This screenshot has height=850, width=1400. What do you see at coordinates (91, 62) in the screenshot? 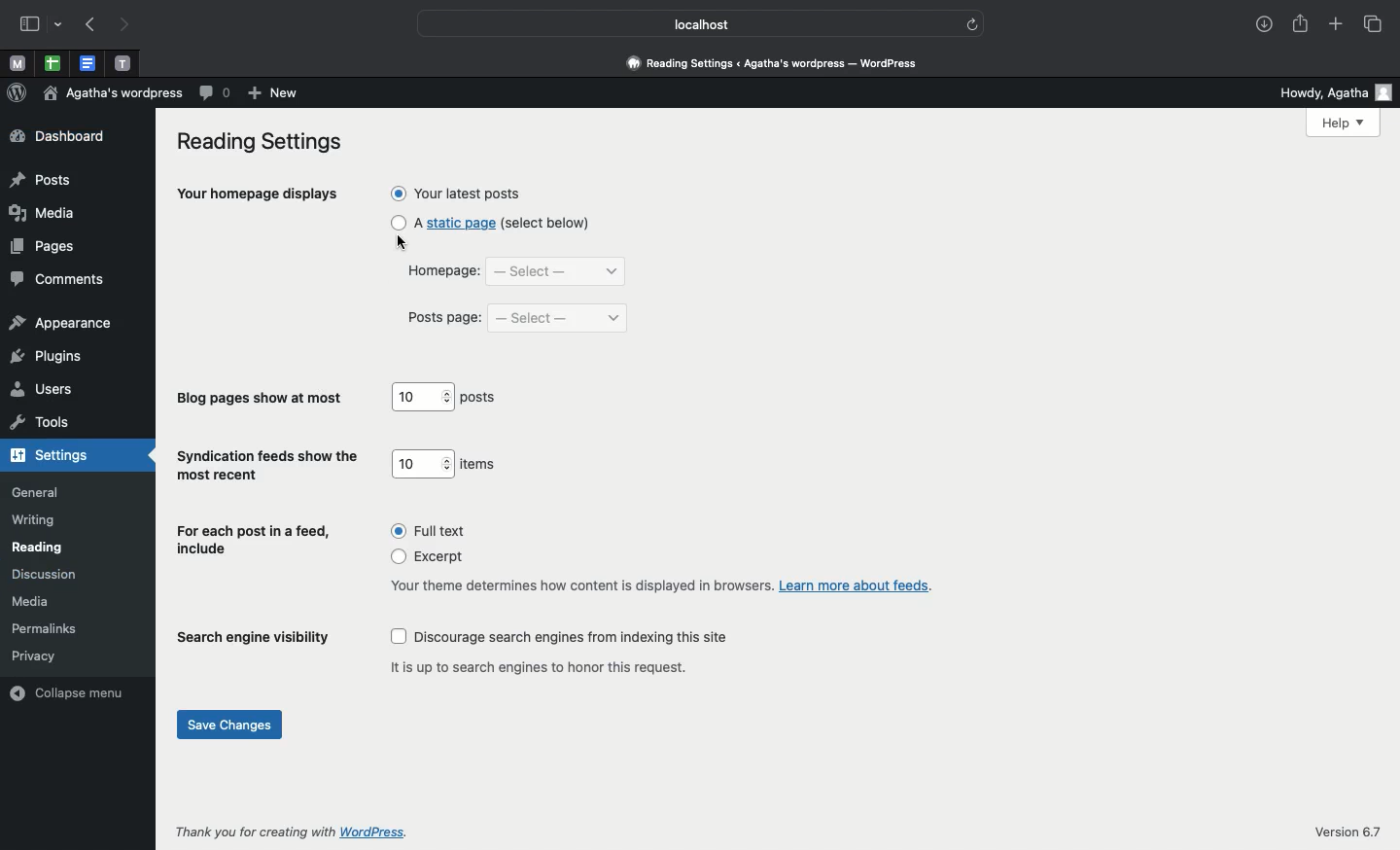
I see `Pinned tabs` at bounding box center [91, 62].